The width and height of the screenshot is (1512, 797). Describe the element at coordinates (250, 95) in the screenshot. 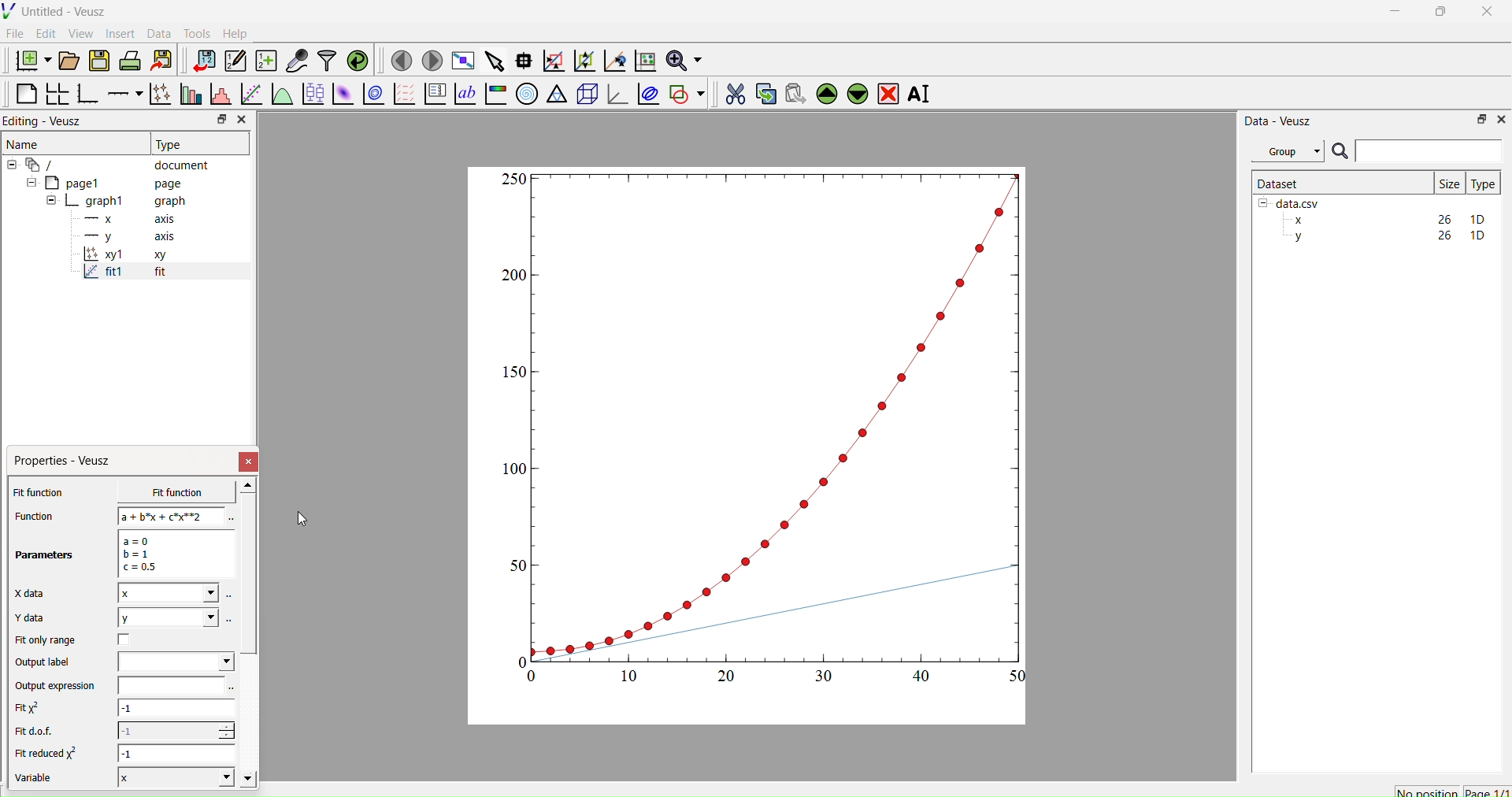

I see `Fit a function to data` at that location.